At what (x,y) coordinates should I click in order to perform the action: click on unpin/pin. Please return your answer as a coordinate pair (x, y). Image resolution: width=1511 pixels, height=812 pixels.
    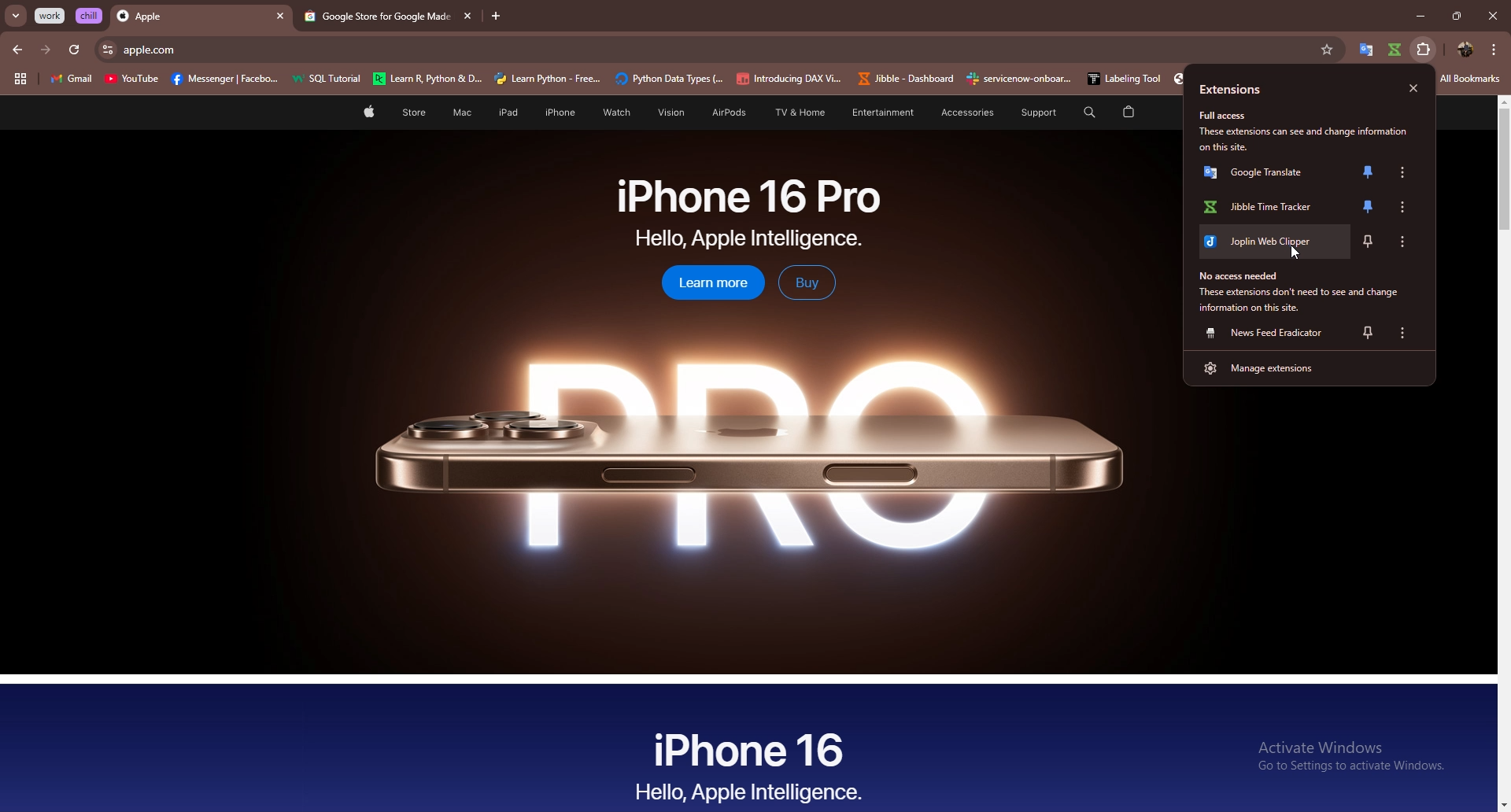
    Looking at the image, I should click on (1367, 208).